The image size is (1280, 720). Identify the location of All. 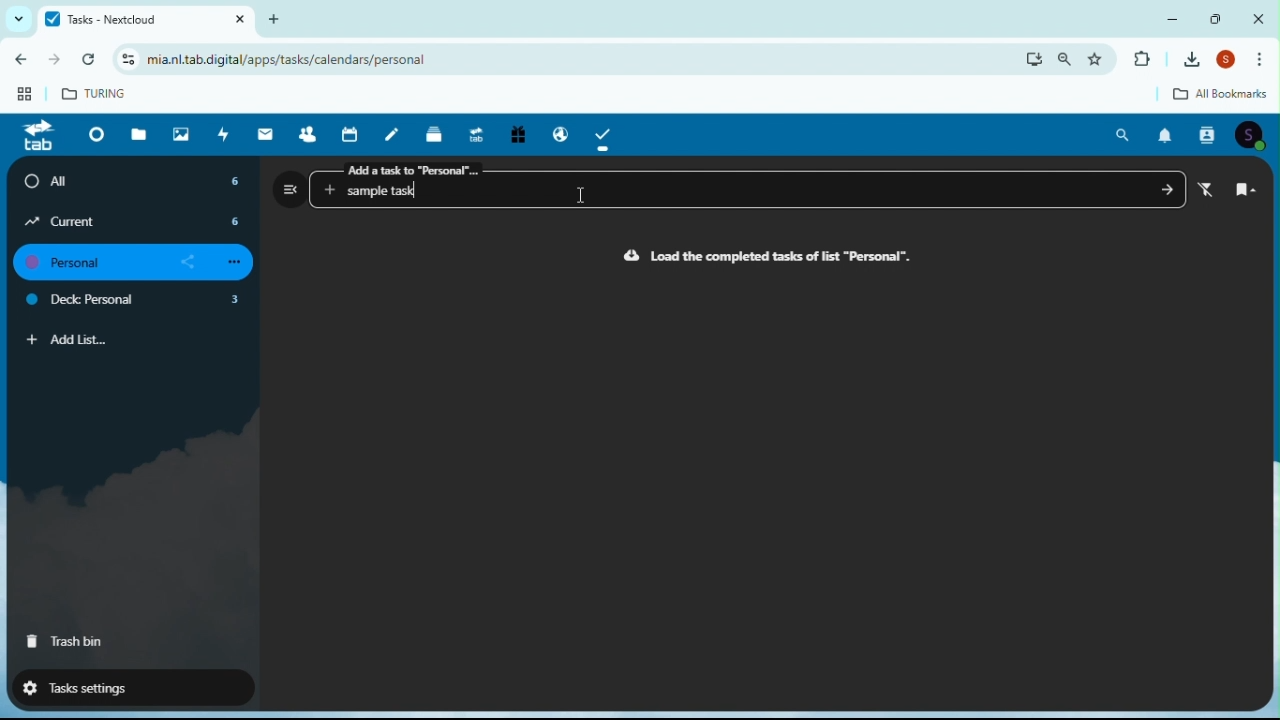
(136, 181).